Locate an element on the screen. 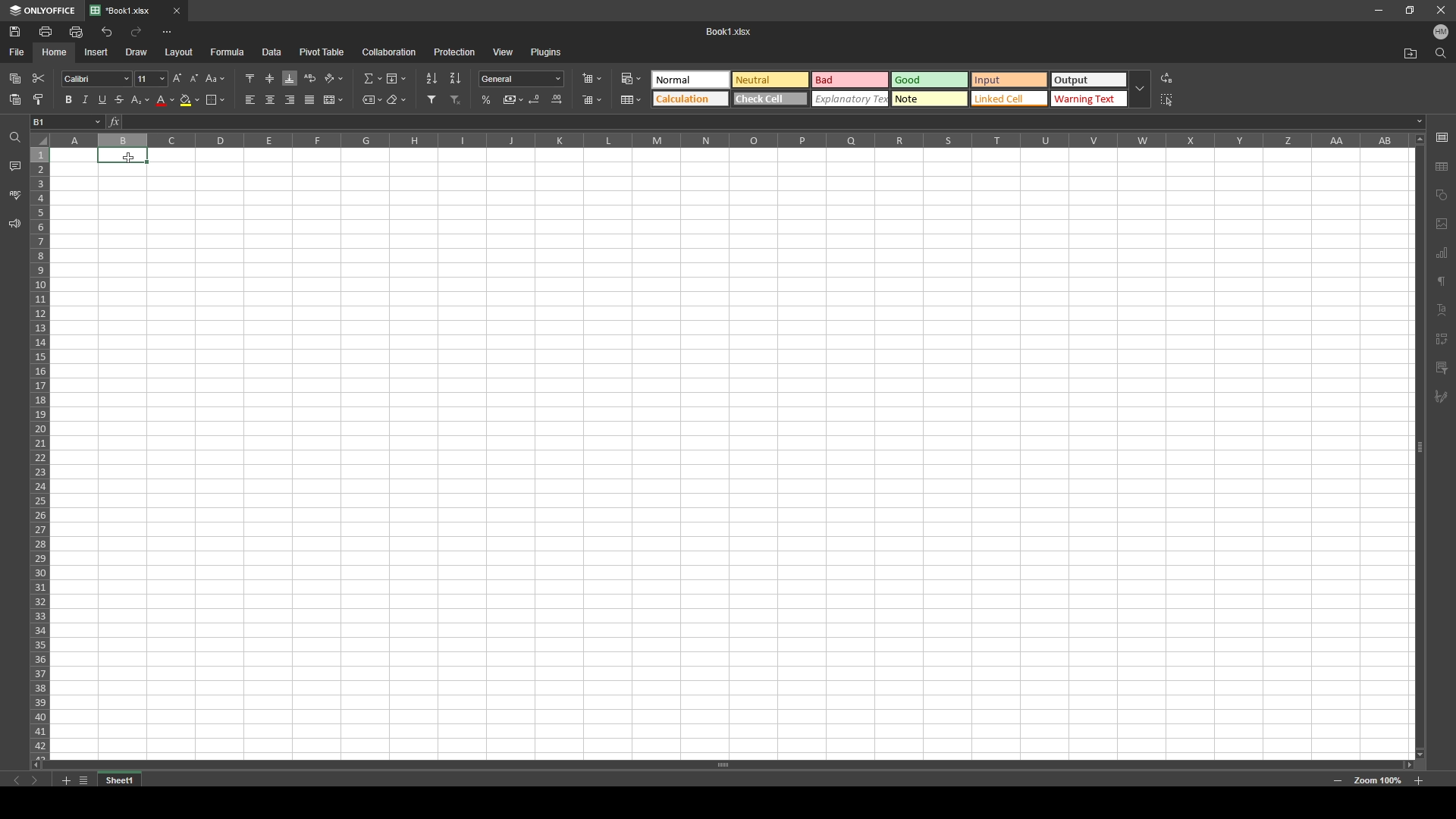  table is located at coordinates (632, 99).